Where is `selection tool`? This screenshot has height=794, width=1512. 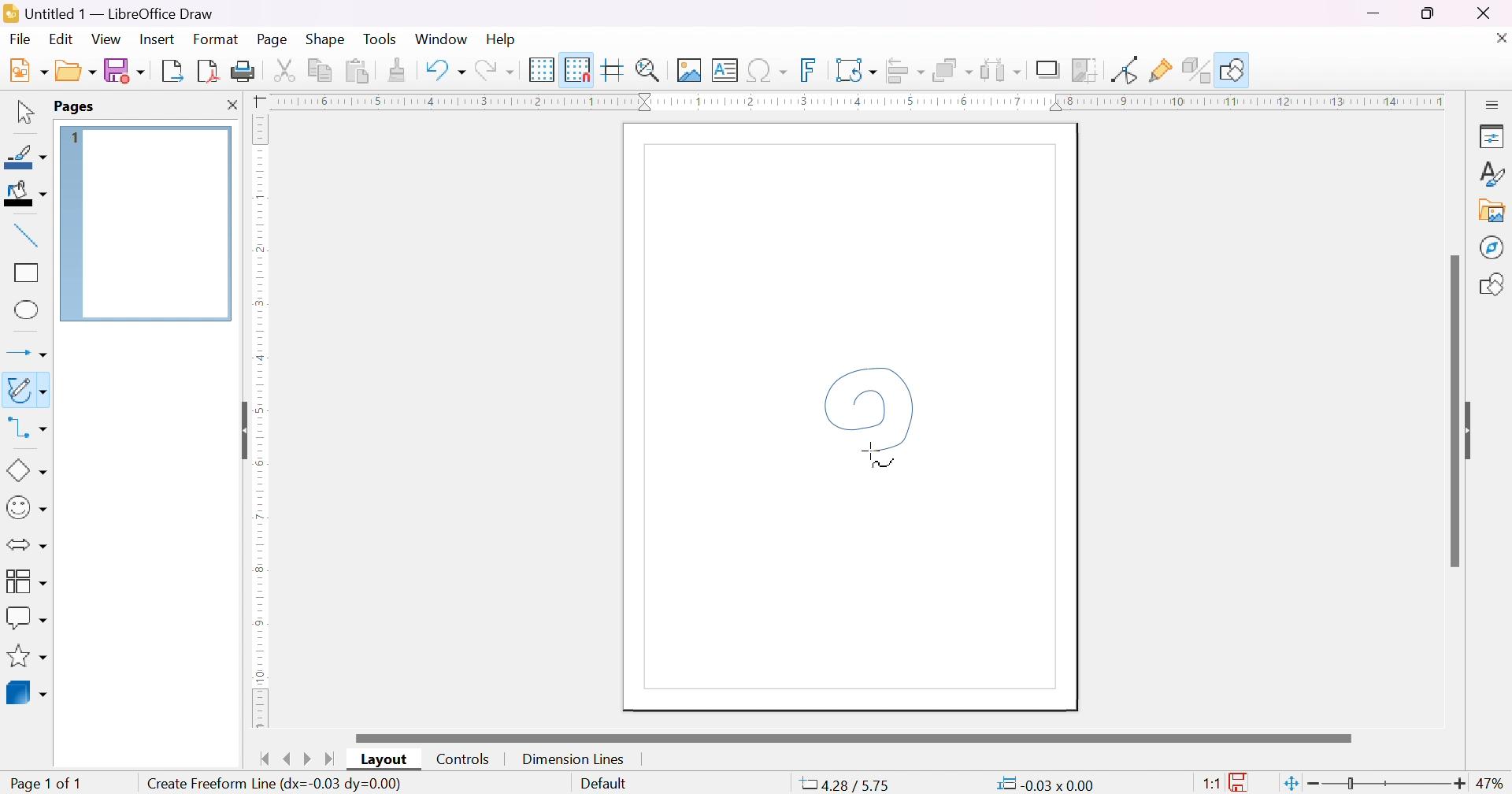 selection tool is located at coordinates (24, 111).